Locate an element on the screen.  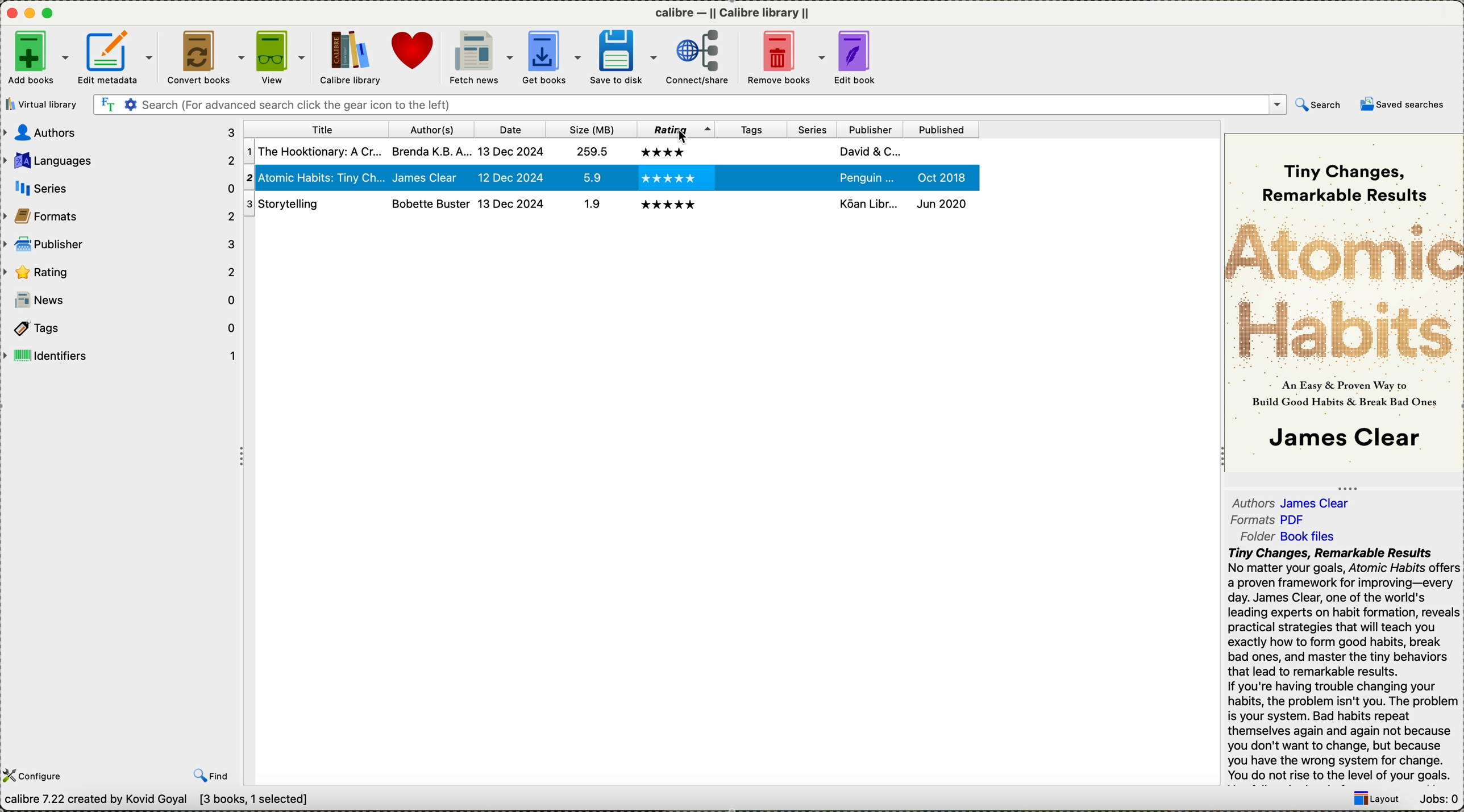
remove books is located at coordinates (785, 57).